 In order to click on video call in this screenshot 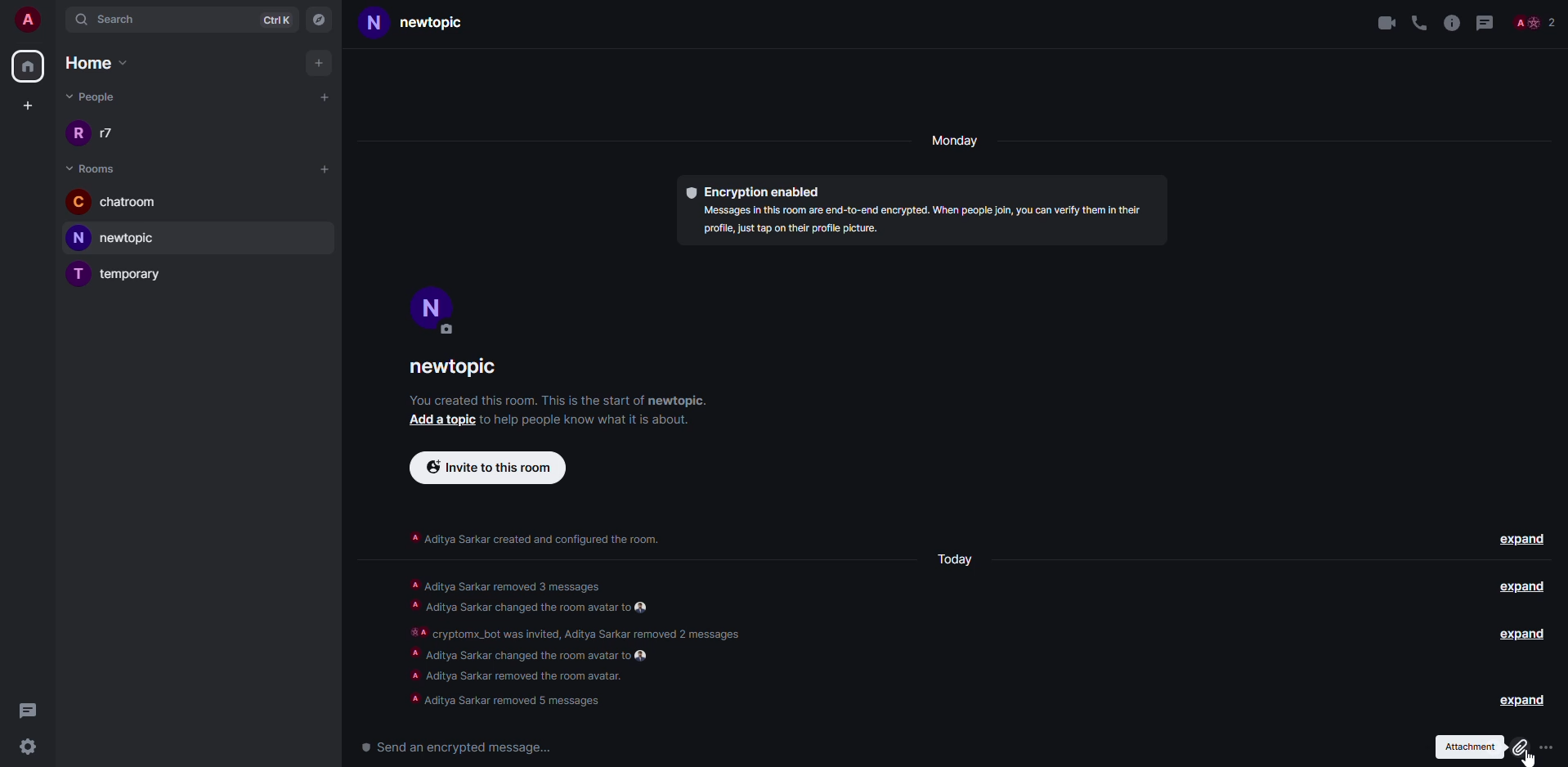, I will do `click(1382, 23)`.